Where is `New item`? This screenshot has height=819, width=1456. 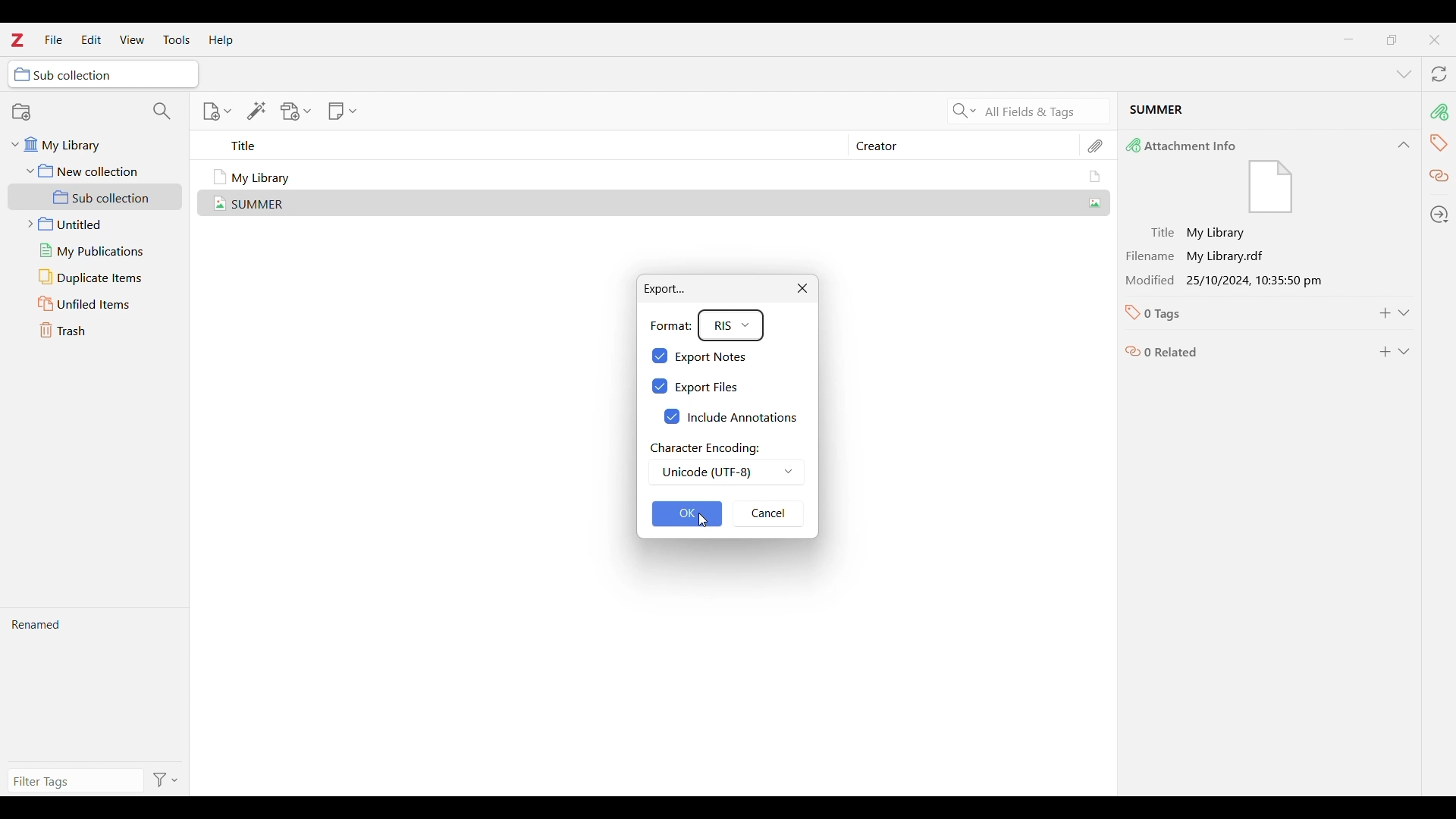 New item is located at coordinates (217, 111).